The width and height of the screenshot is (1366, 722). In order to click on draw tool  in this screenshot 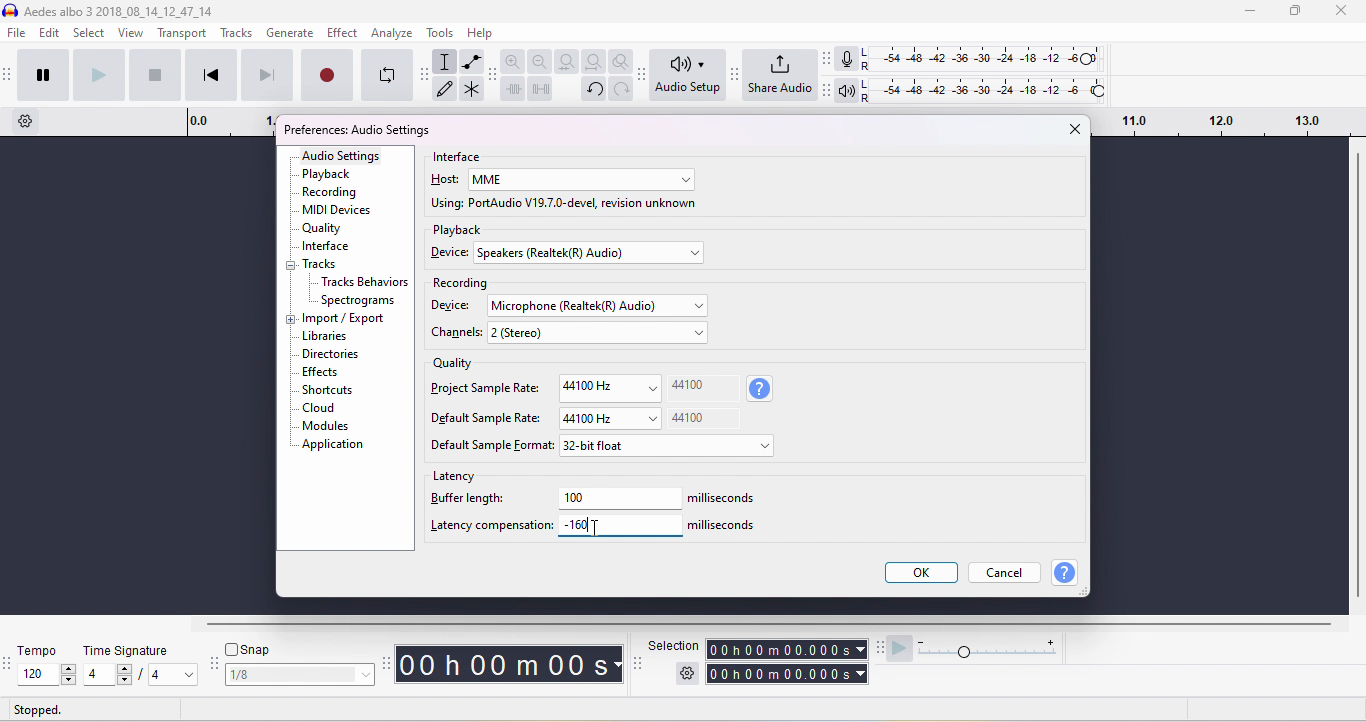, I will do `click(445, 87)`.